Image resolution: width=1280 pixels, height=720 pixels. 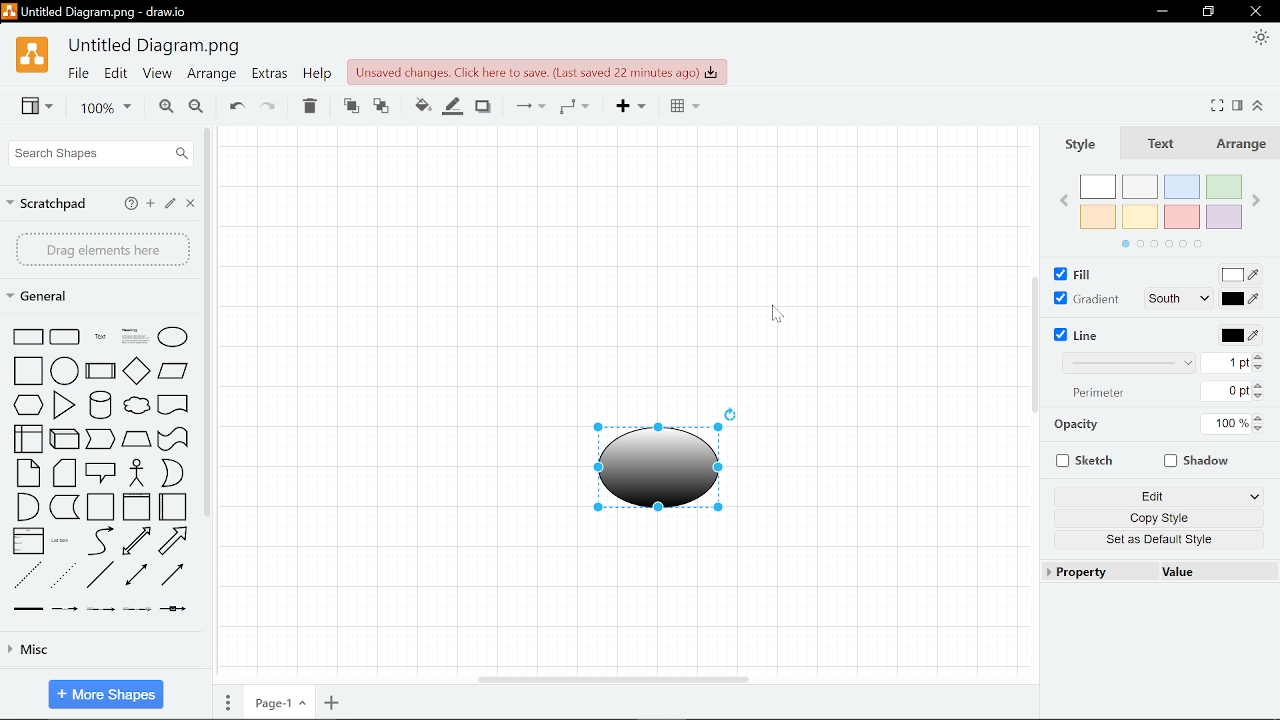 What do you see at coordinates (132, 204) in the screenshot?
I see `help` at bounding box center [132, 204].